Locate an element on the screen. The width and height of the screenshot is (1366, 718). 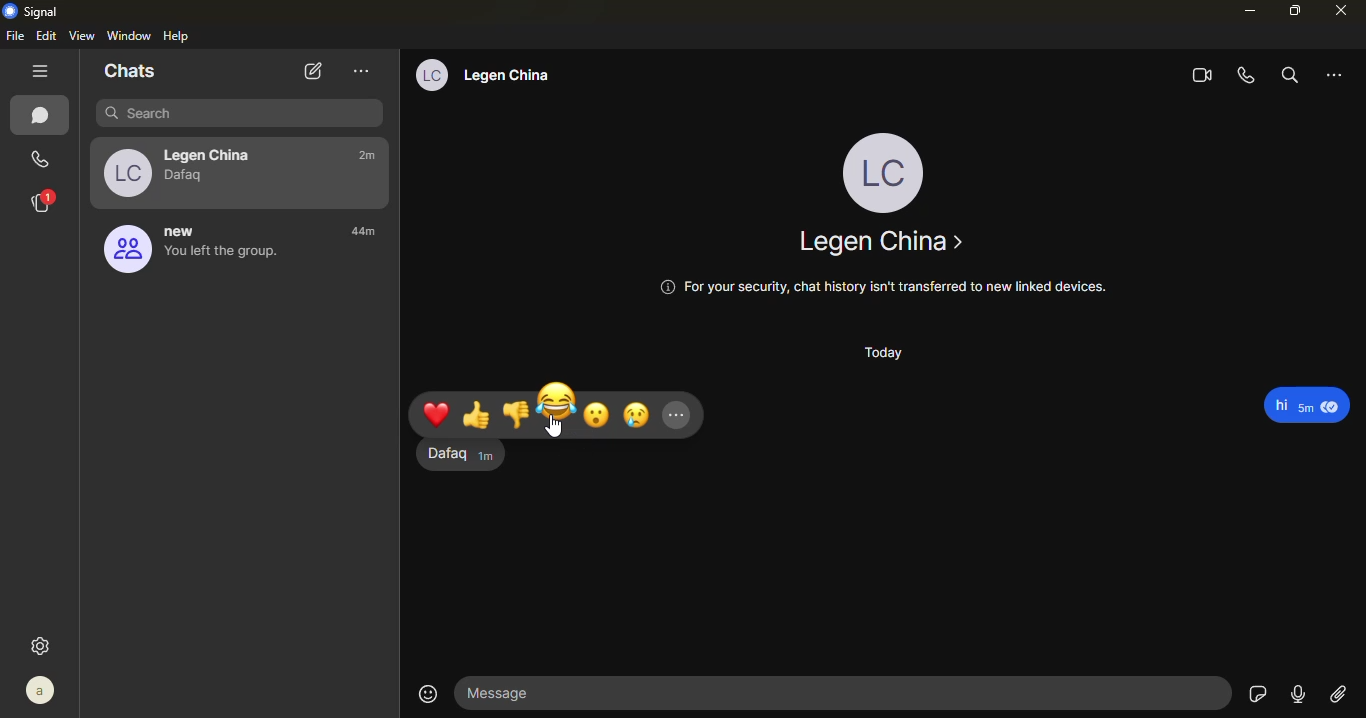
thumbs up is located at coordinates (479, 417).